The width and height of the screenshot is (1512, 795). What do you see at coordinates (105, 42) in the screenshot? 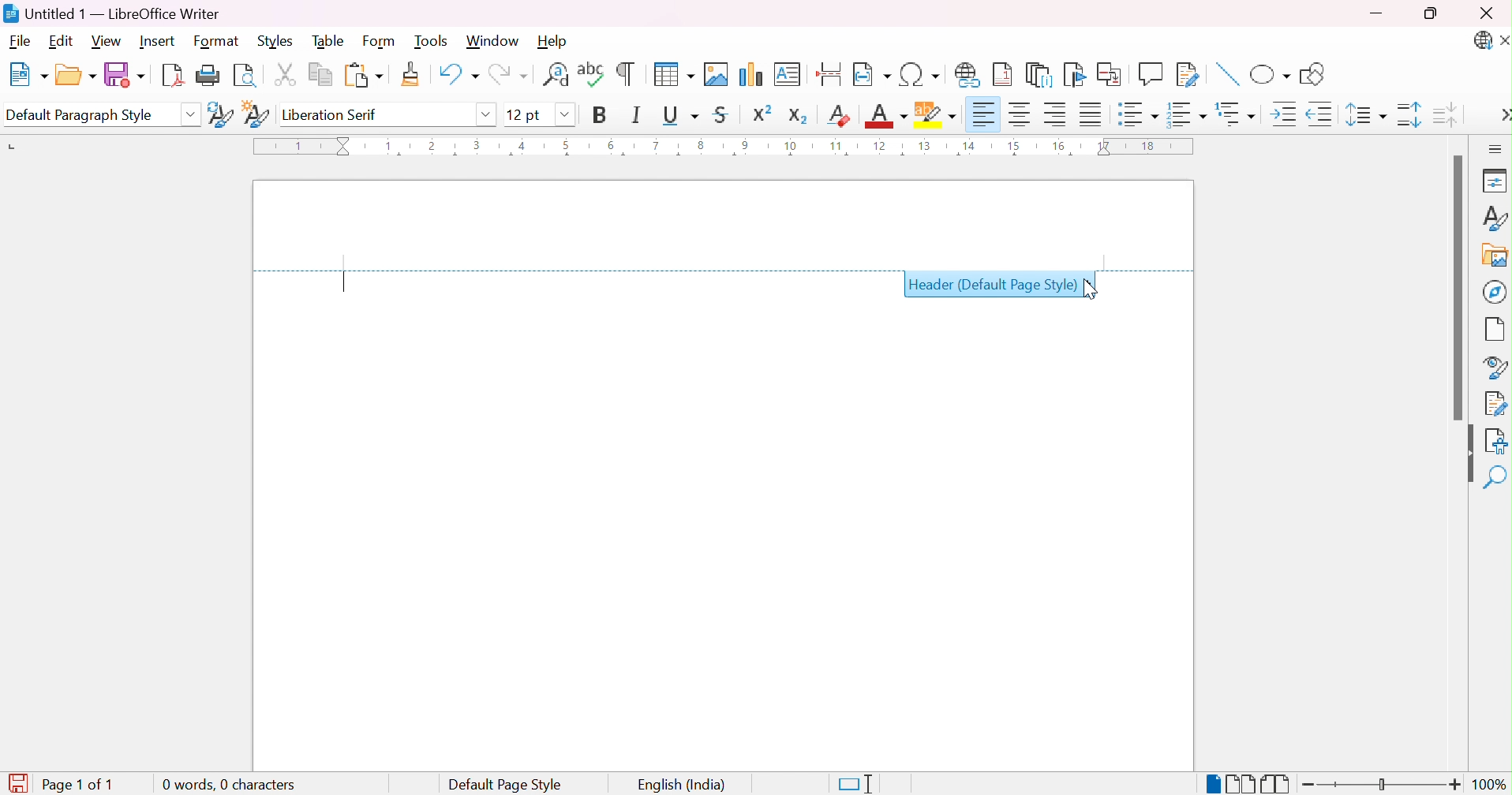
I see `View` at bounding box center [105, 42].